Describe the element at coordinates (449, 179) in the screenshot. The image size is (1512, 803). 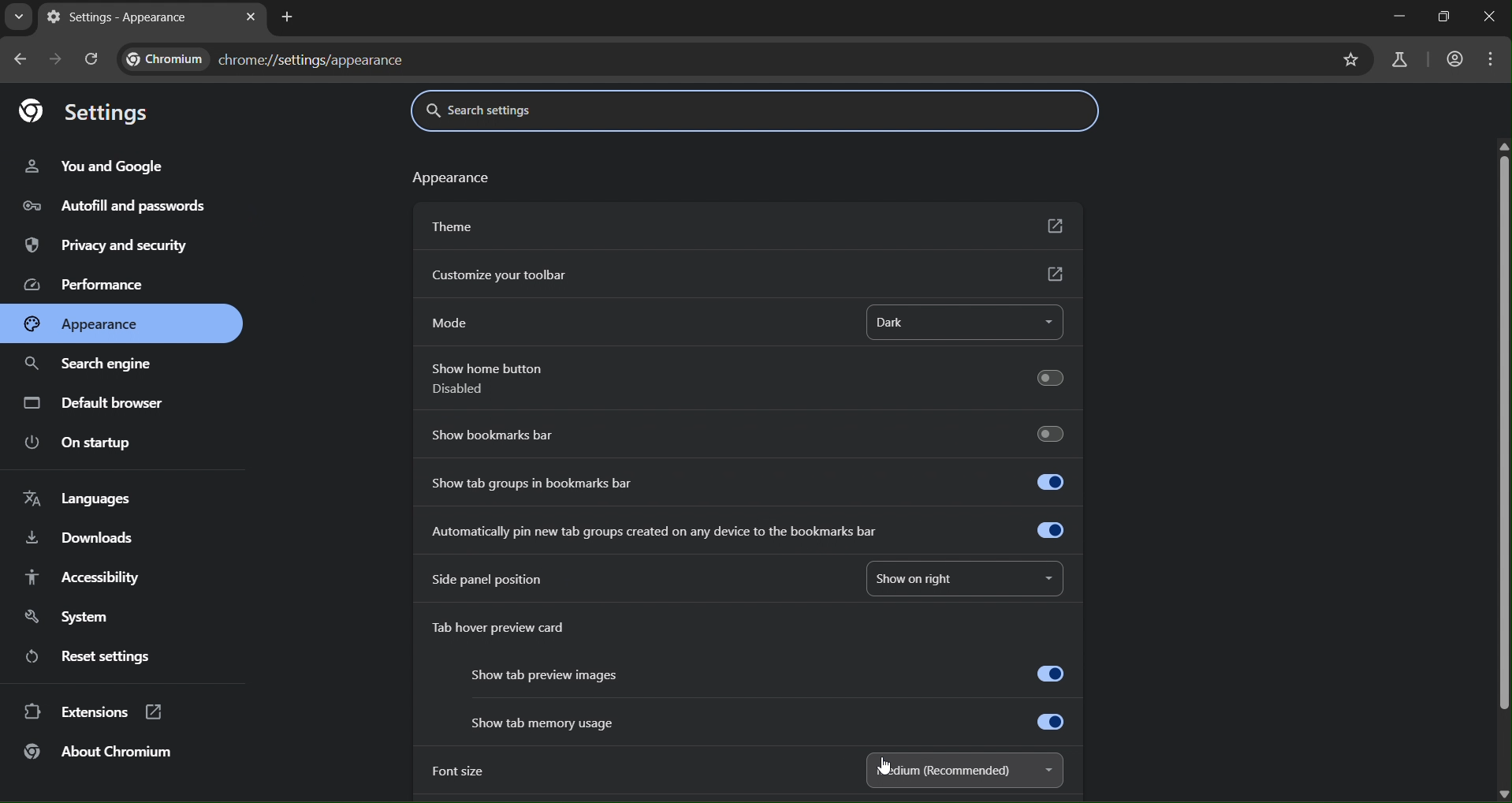
I see `text` at that location.